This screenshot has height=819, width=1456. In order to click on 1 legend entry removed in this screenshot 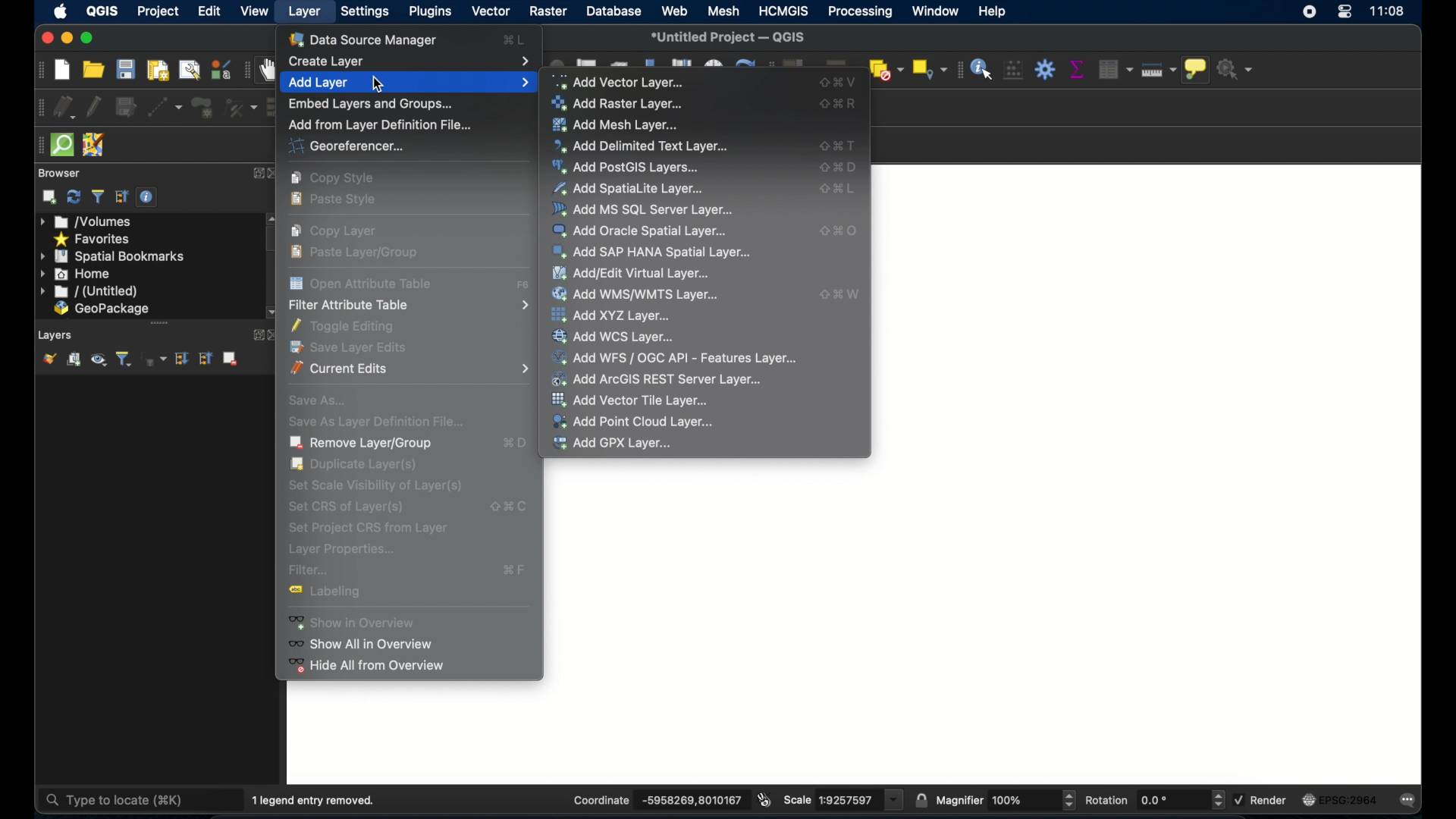, I will do `click(318, 799)`.